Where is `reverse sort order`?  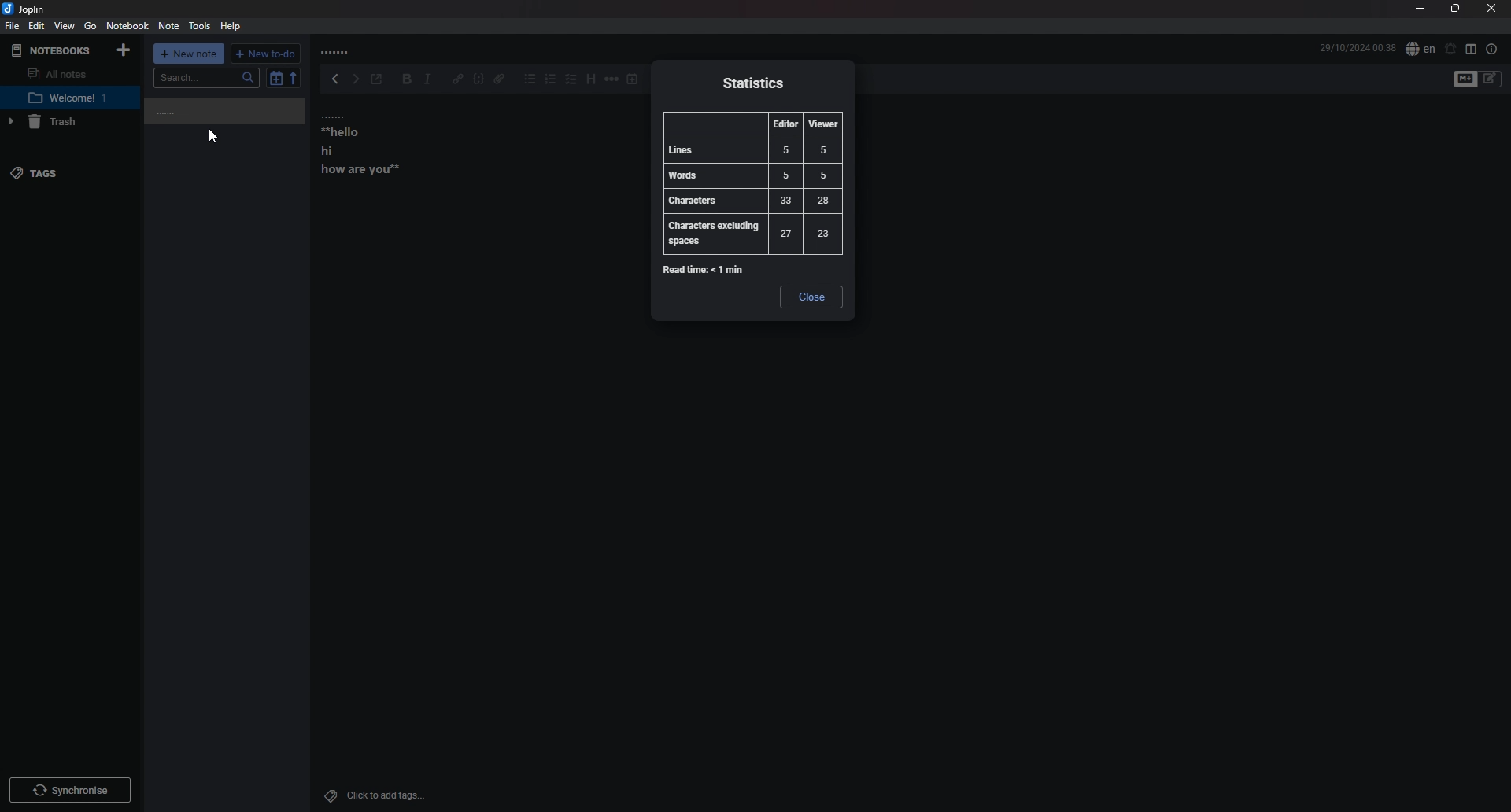 reverse sort order is located at coordinates (292, 77).